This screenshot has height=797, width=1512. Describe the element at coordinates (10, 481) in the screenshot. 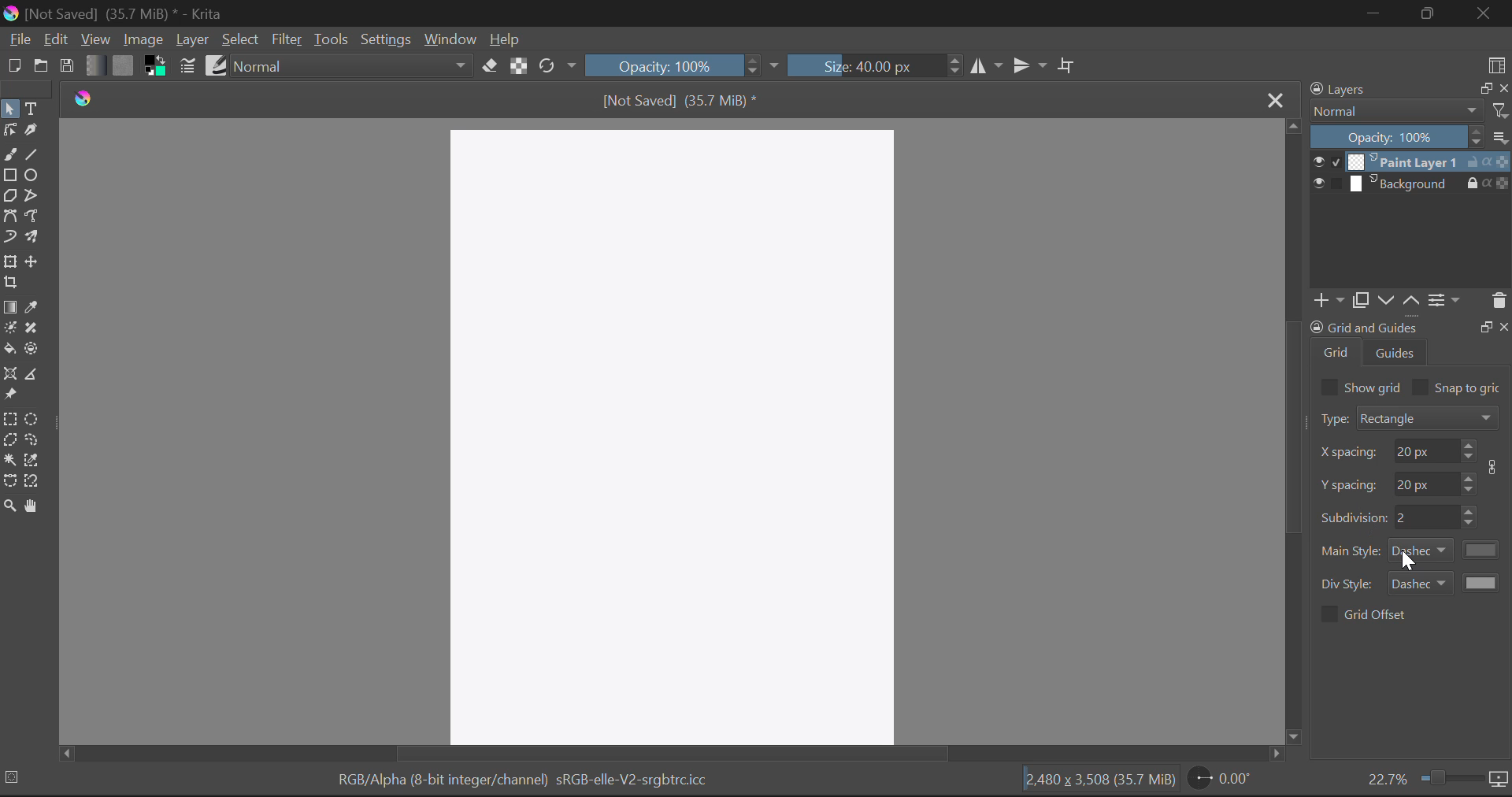

I see `Bezier Curve Selection` at that location.